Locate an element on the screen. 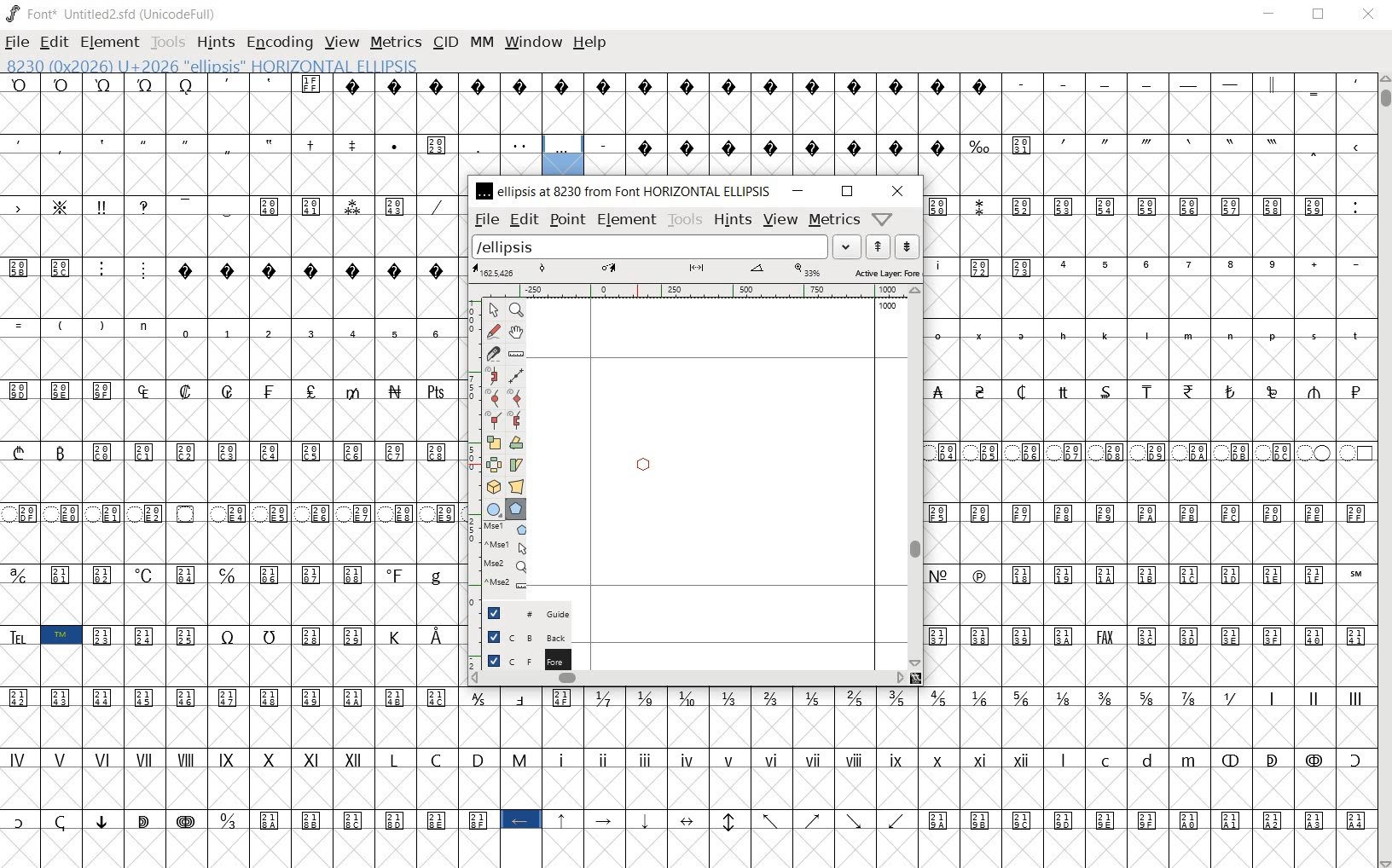 The width and height of the screenshot is (1392, 868). skew the selection is located at coordinates (518, 465).